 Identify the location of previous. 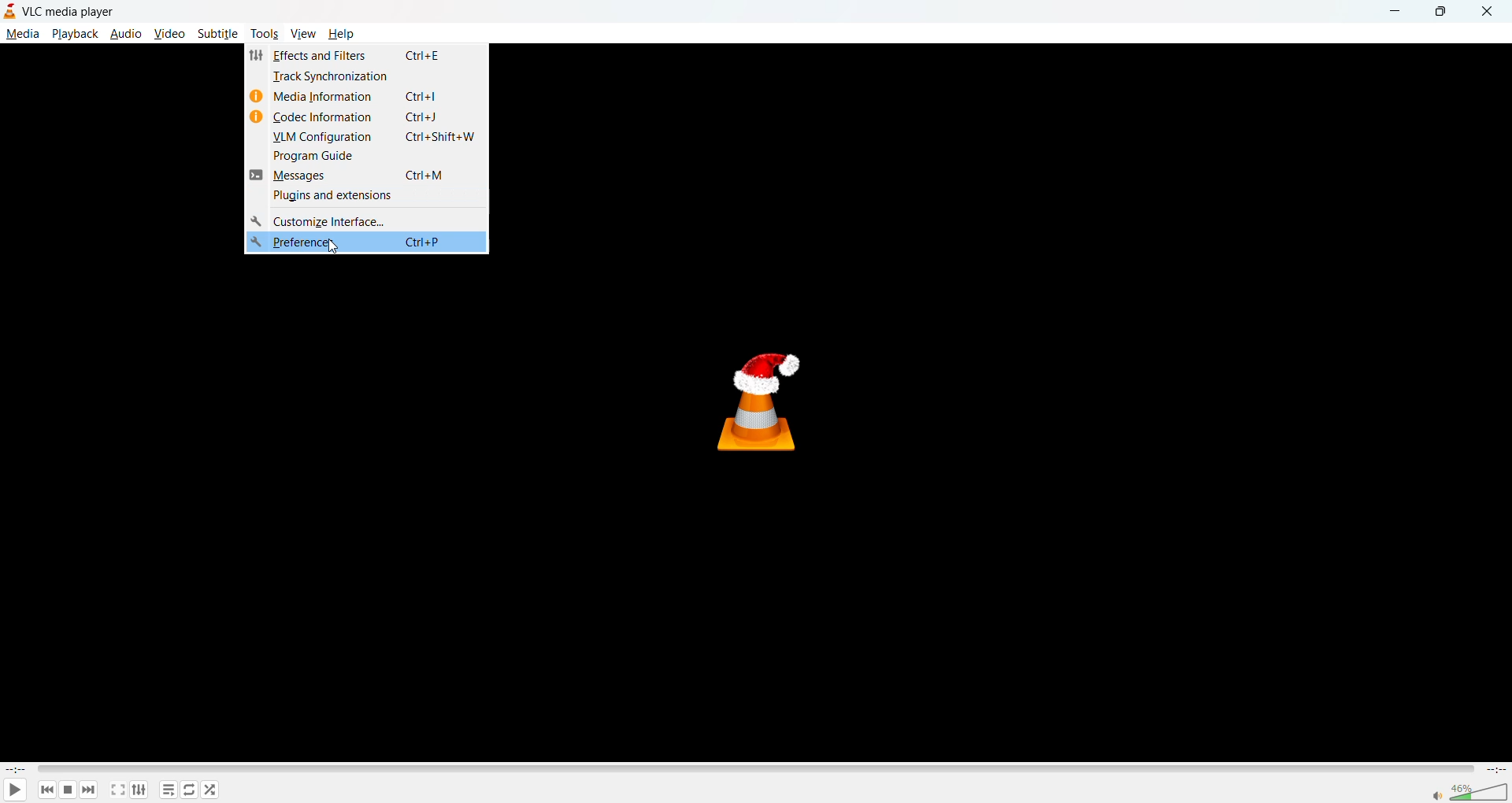
(46, 790).